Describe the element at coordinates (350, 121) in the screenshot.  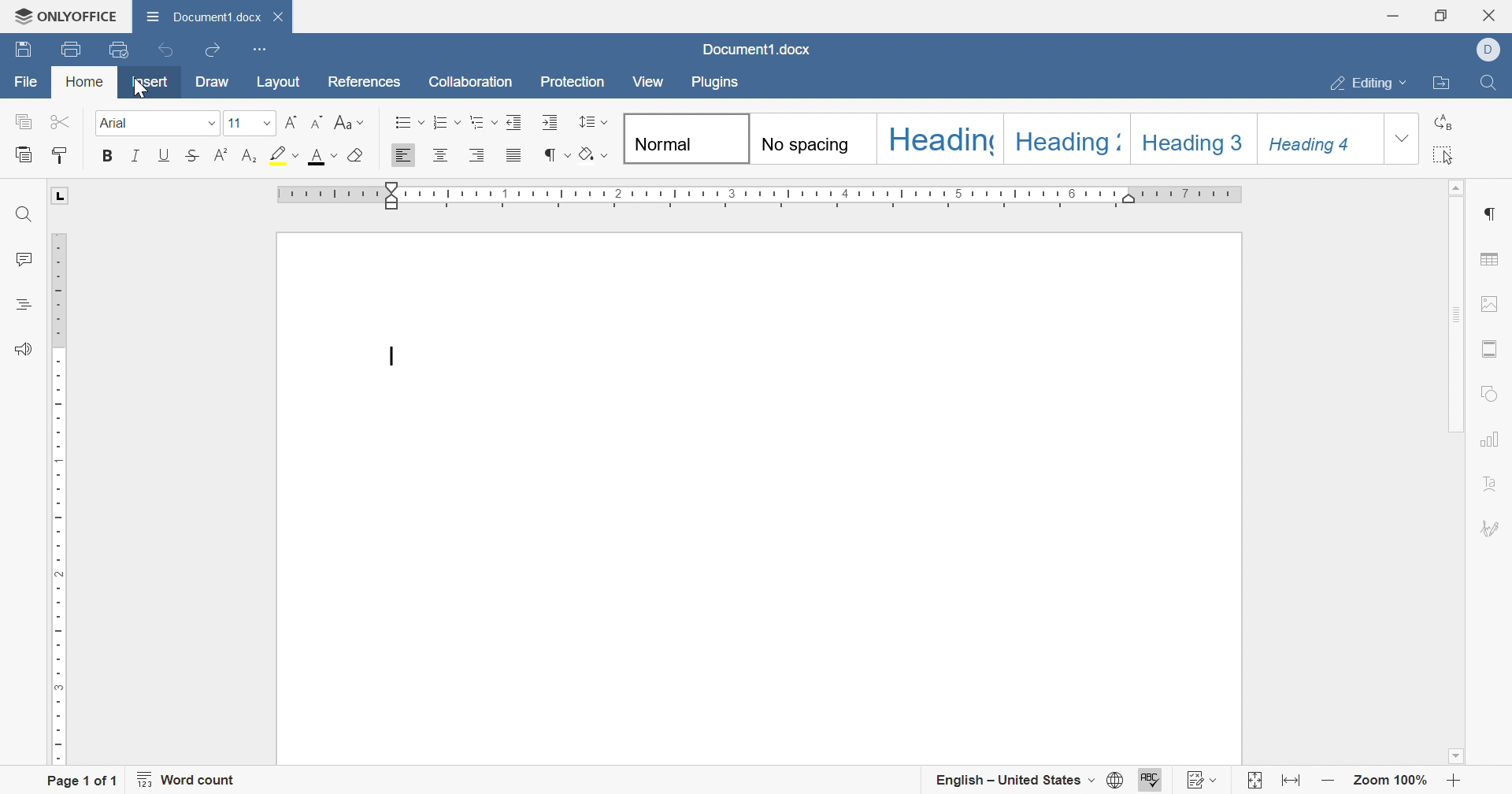
I see `Change case` at that location.